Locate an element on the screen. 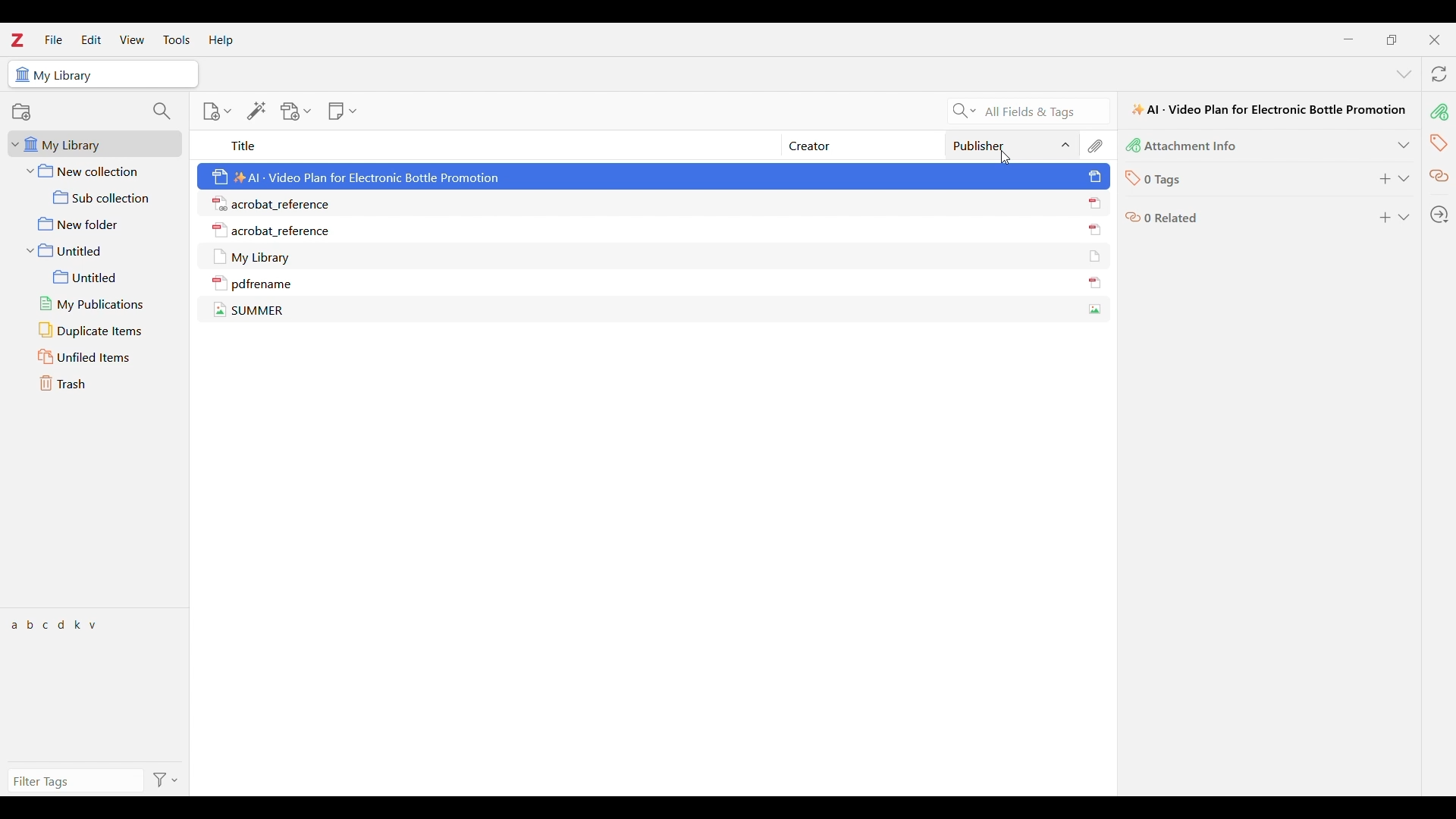  icon is located at coordinates (1131, 180).